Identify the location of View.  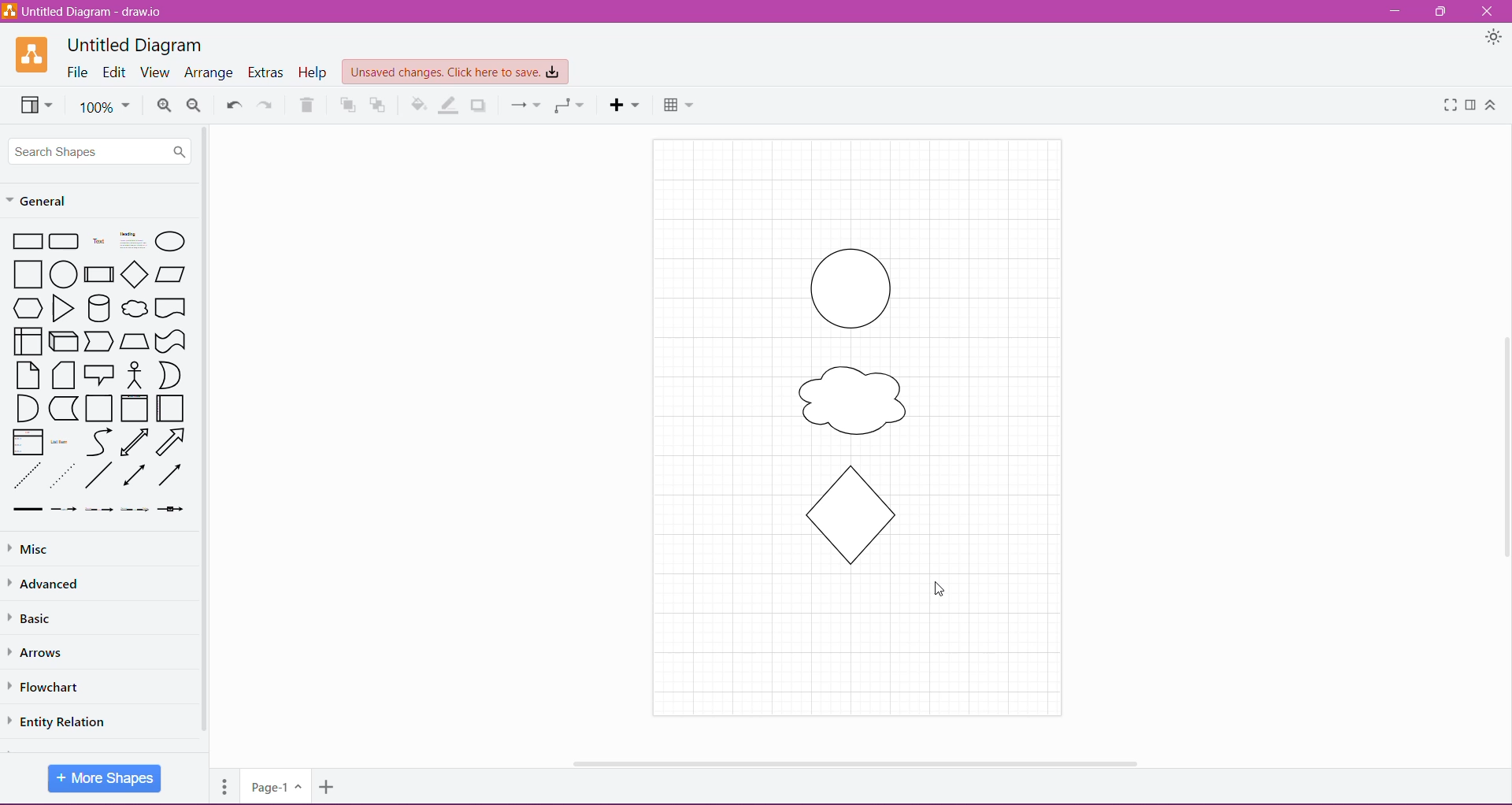
(33, 104).